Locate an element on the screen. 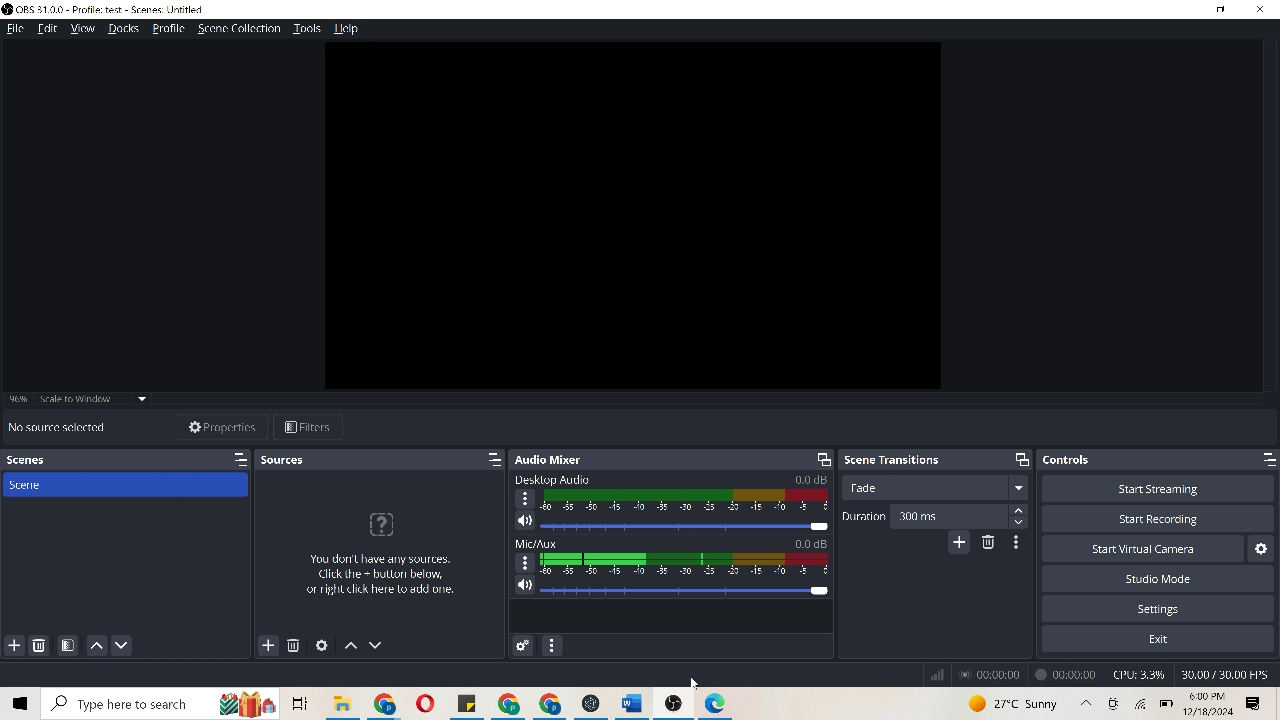 This screenshot has width=1280, height=720. file is located at coordinates (14, 30).